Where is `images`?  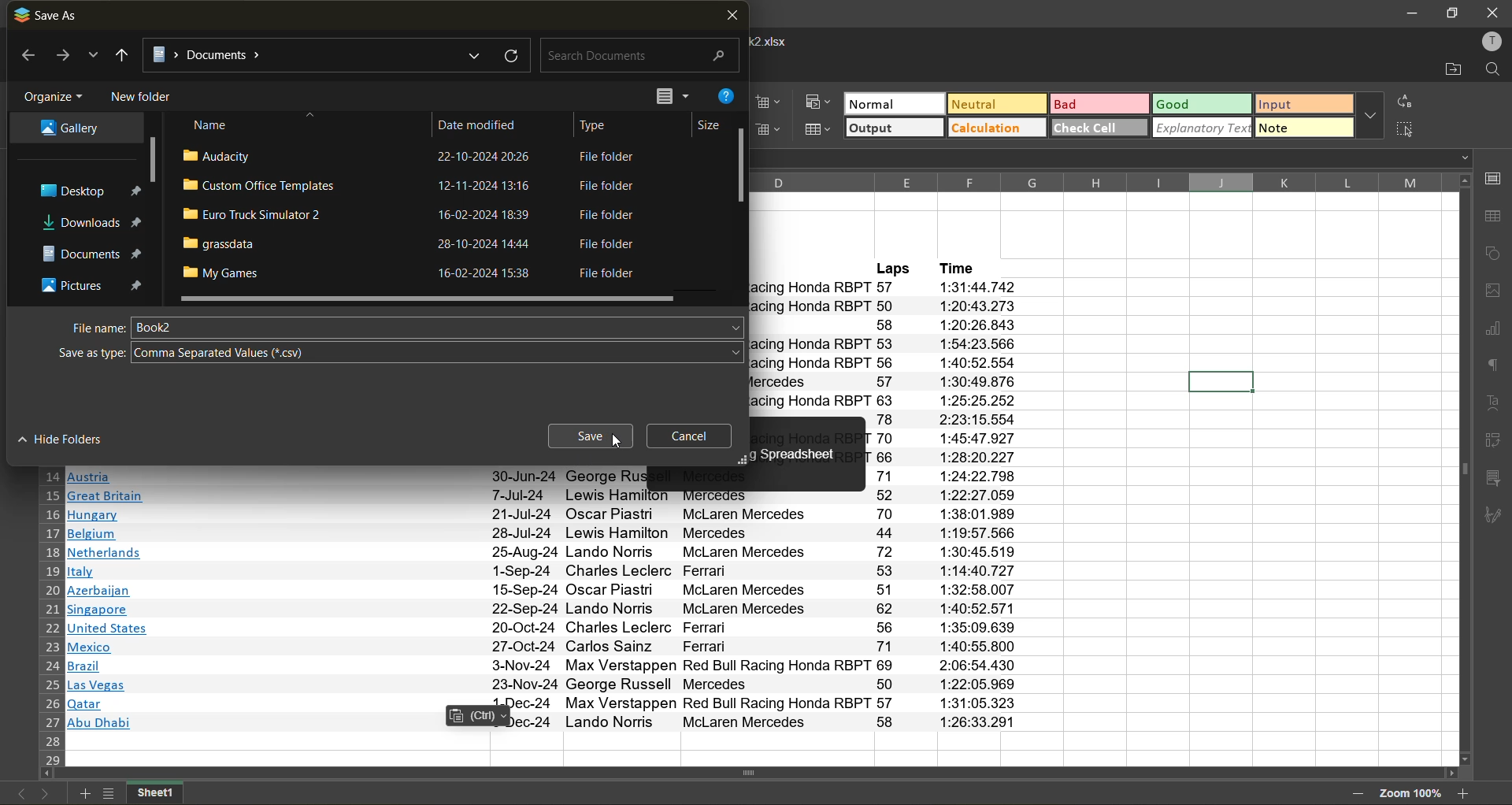 images is located at coordinates (1493, 292).